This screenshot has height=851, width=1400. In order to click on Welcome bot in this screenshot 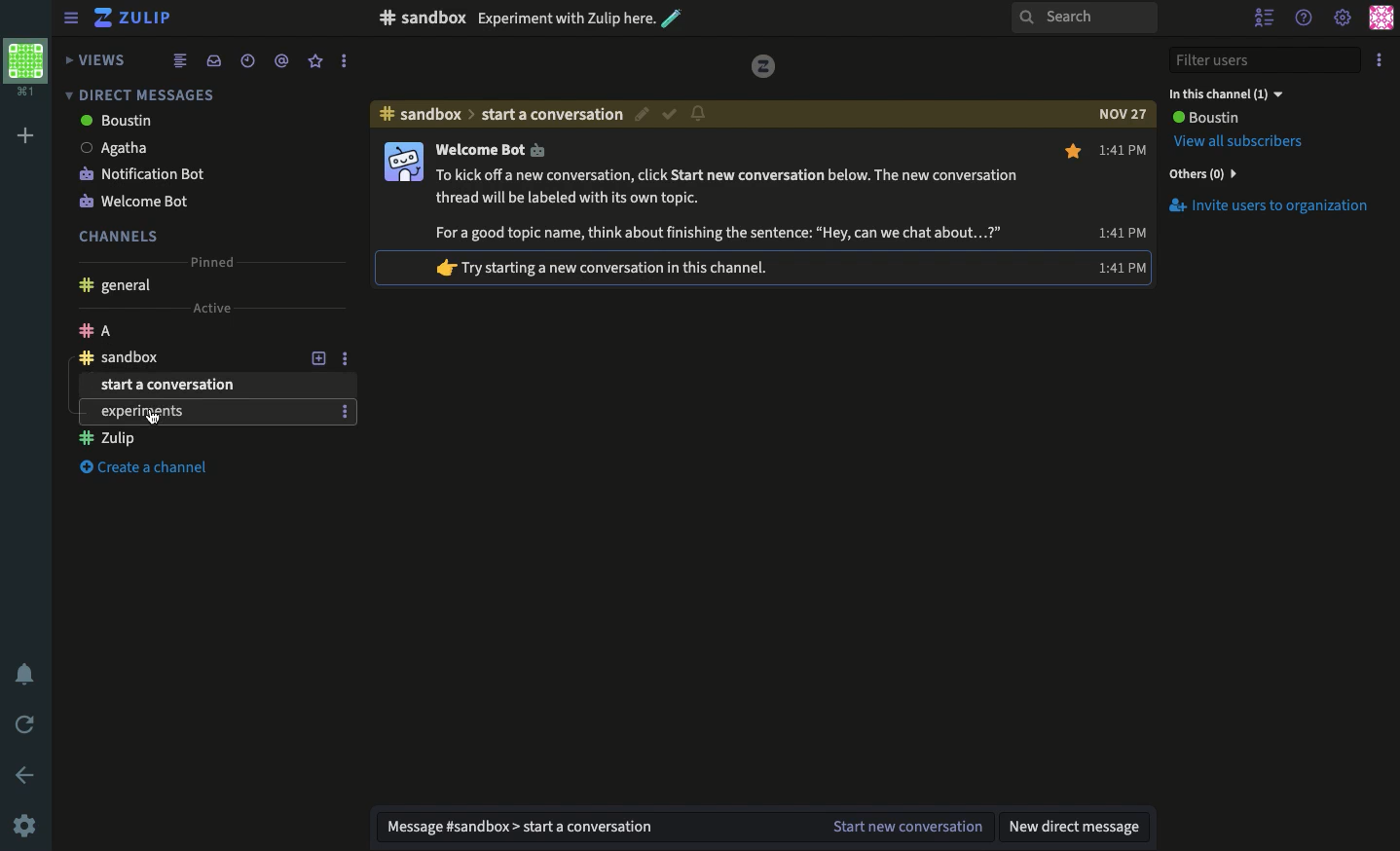, I will do `click(184, 200)`.